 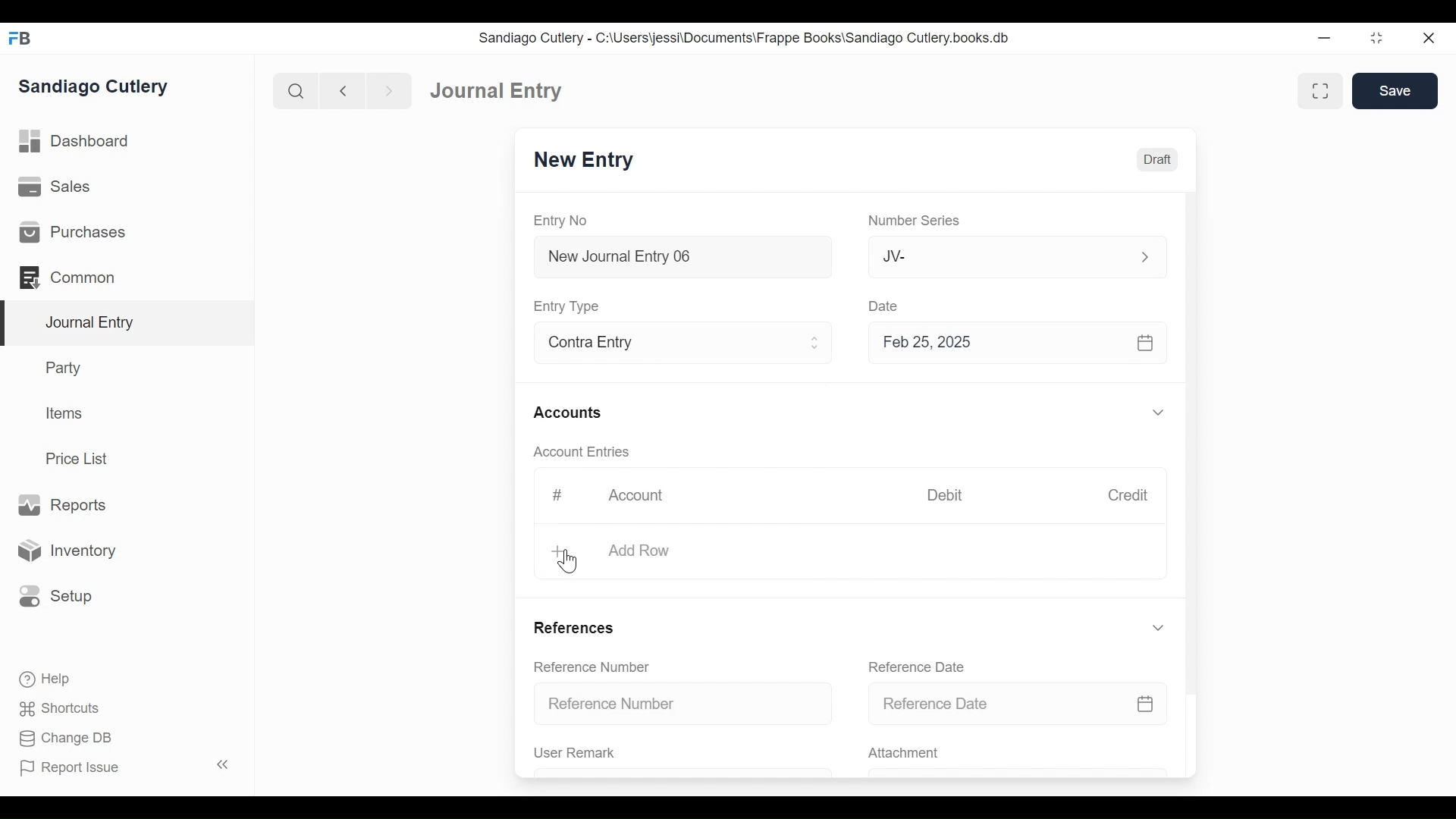 I want to click on Debit, so click(x=945, y=495).